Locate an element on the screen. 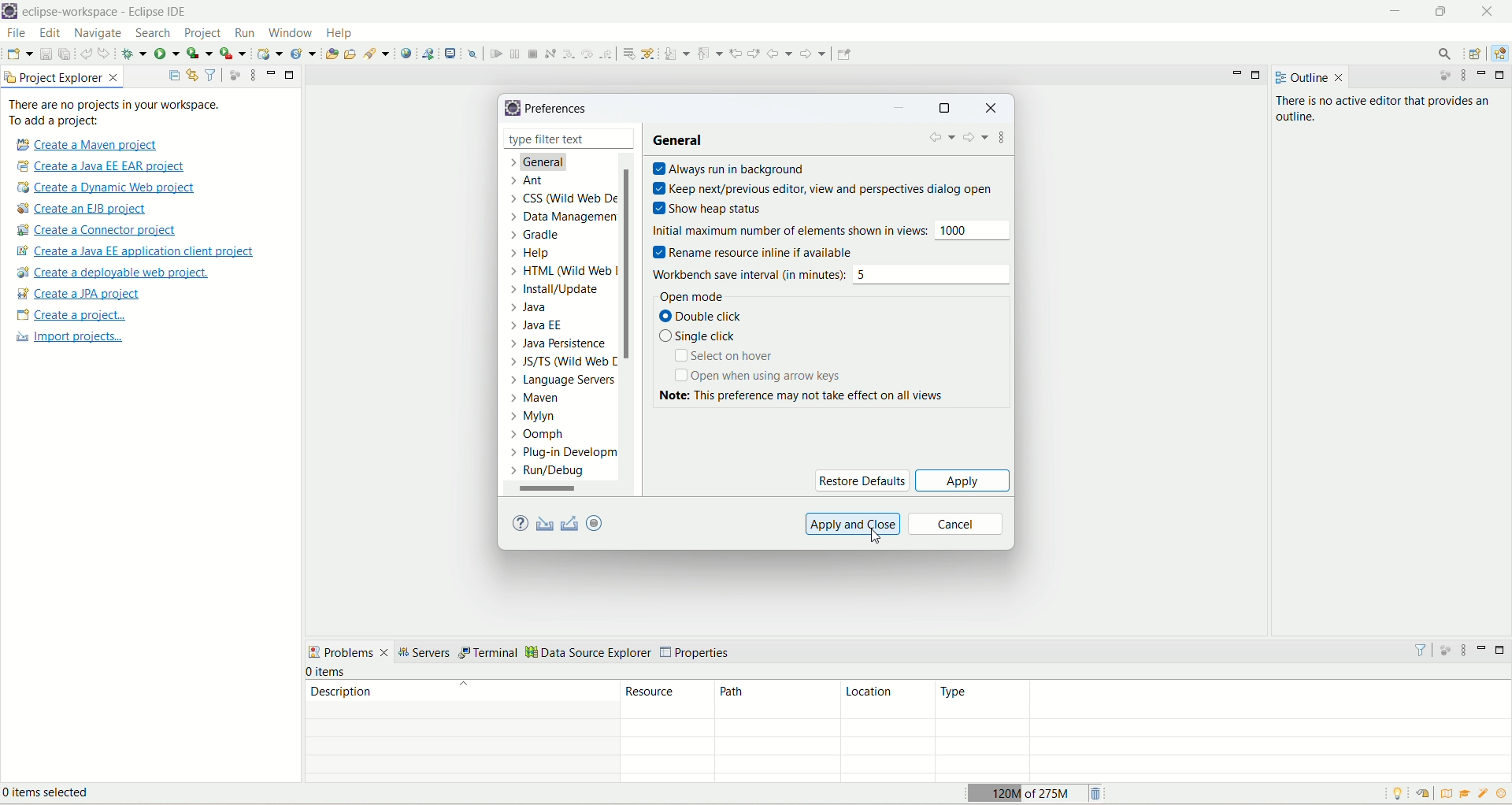  undo is located at coordinates (86, 52).